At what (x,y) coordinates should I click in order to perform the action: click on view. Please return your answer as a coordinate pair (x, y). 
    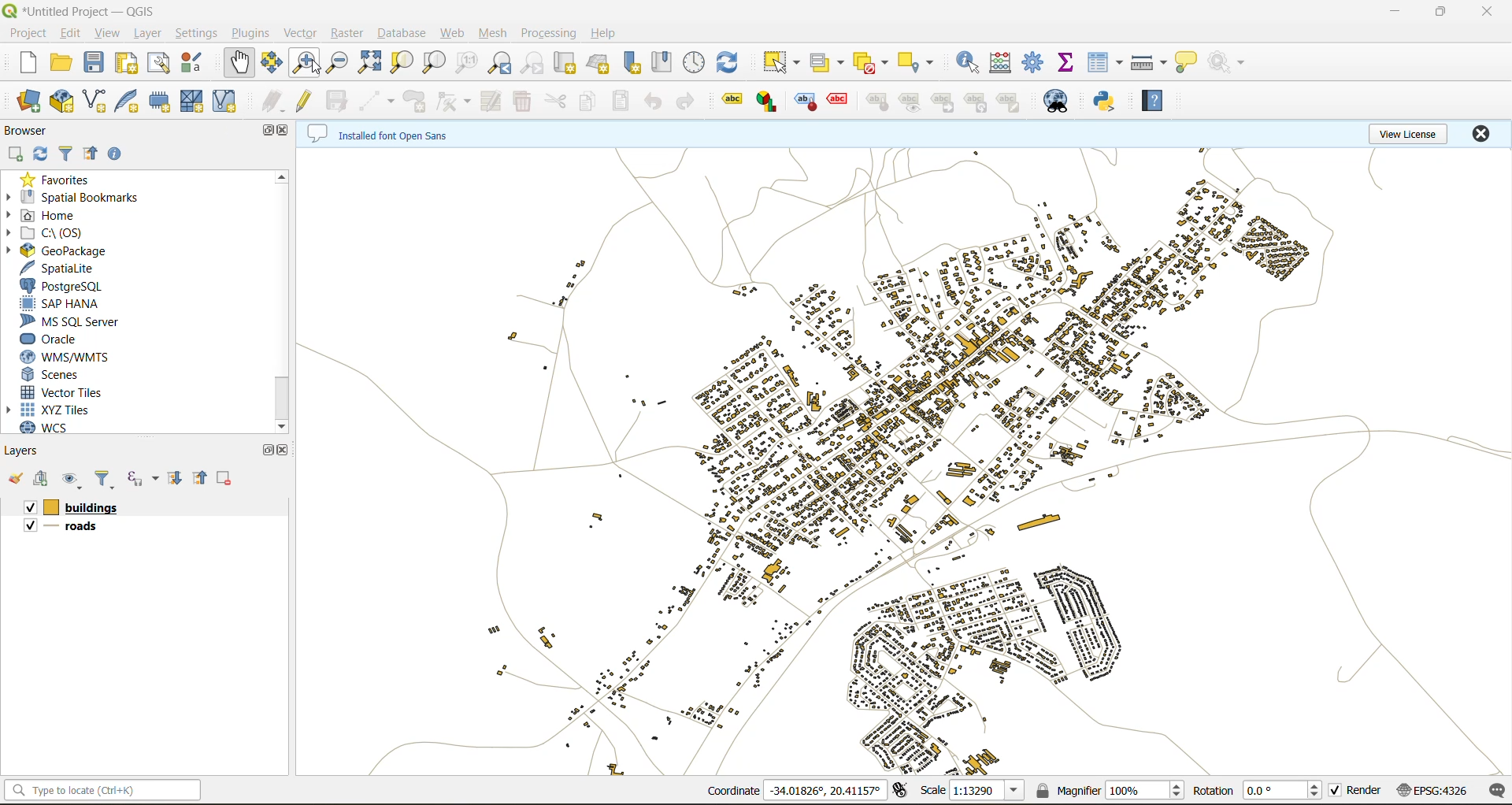
    Looking at the image, I should click on (108, 33).